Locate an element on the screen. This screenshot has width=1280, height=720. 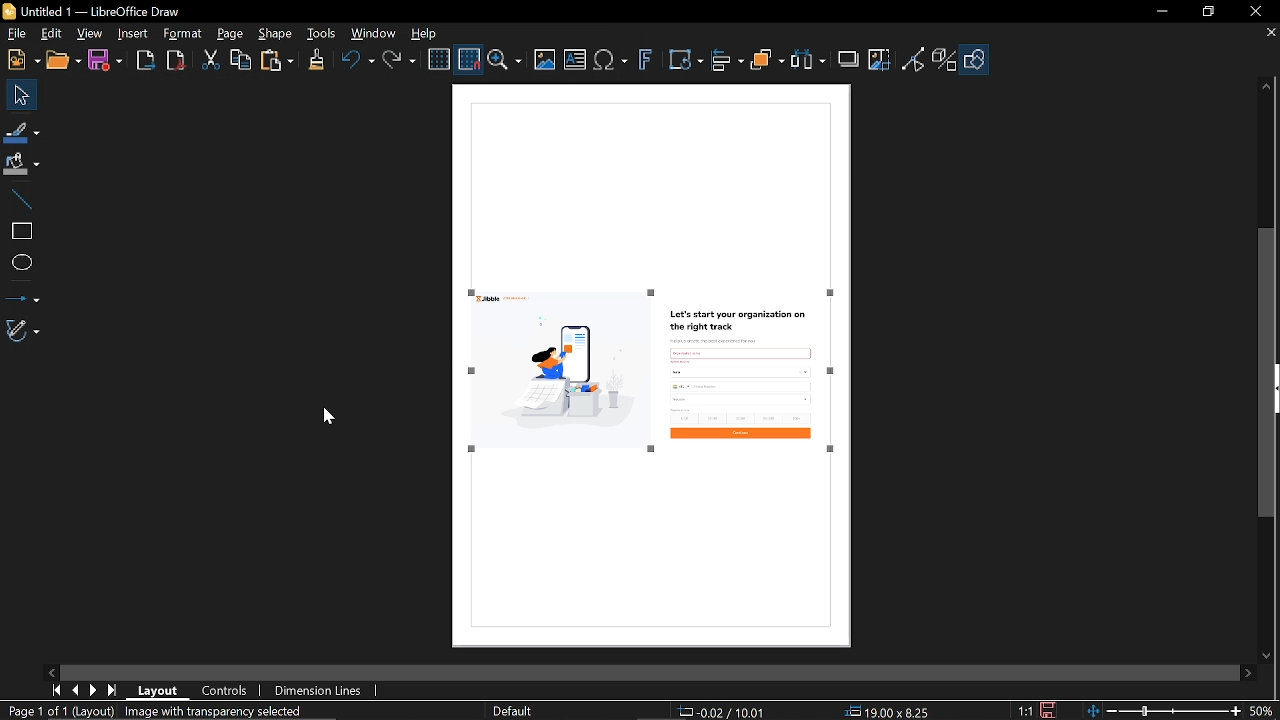
Cut  is located at coordinates (210, 60).